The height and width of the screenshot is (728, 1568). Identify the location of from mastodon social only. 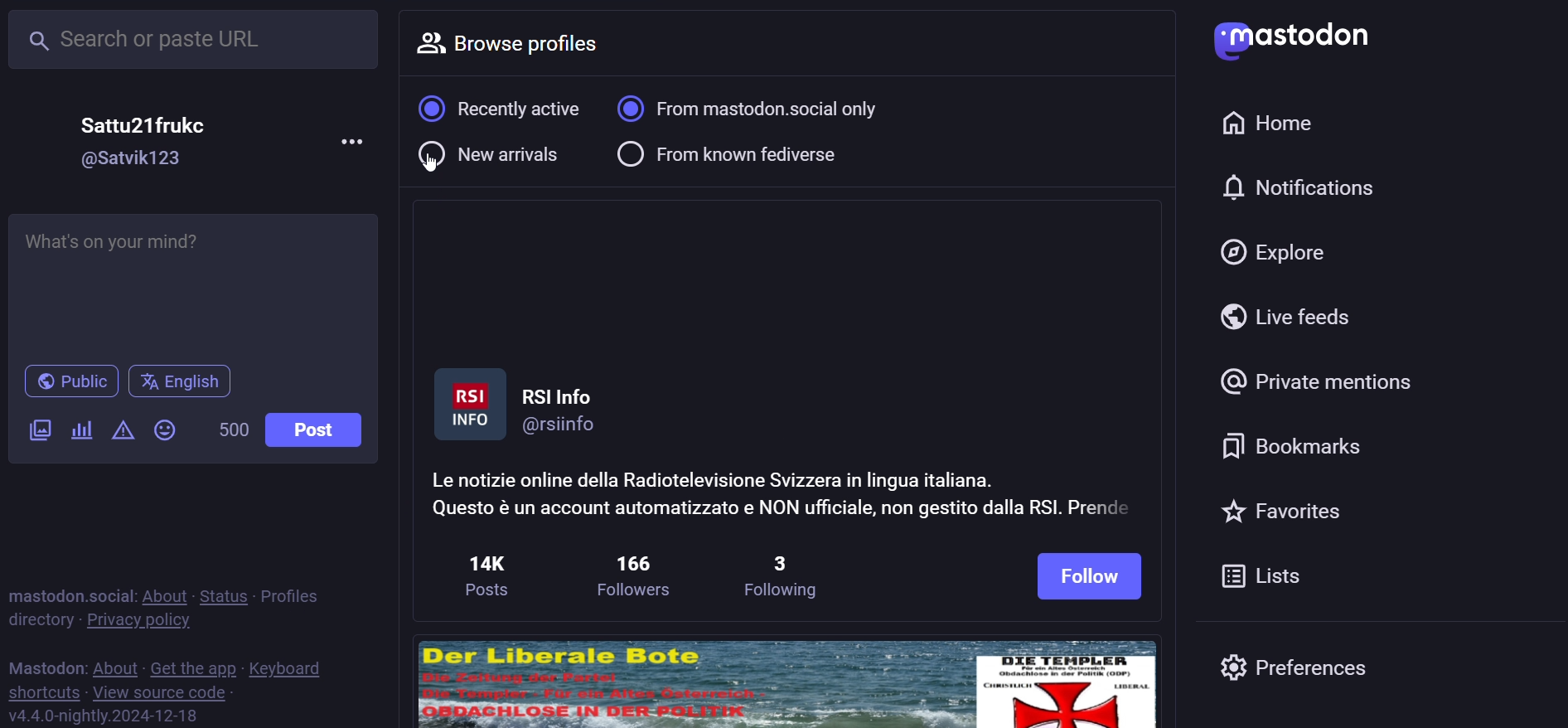
(767, 107).